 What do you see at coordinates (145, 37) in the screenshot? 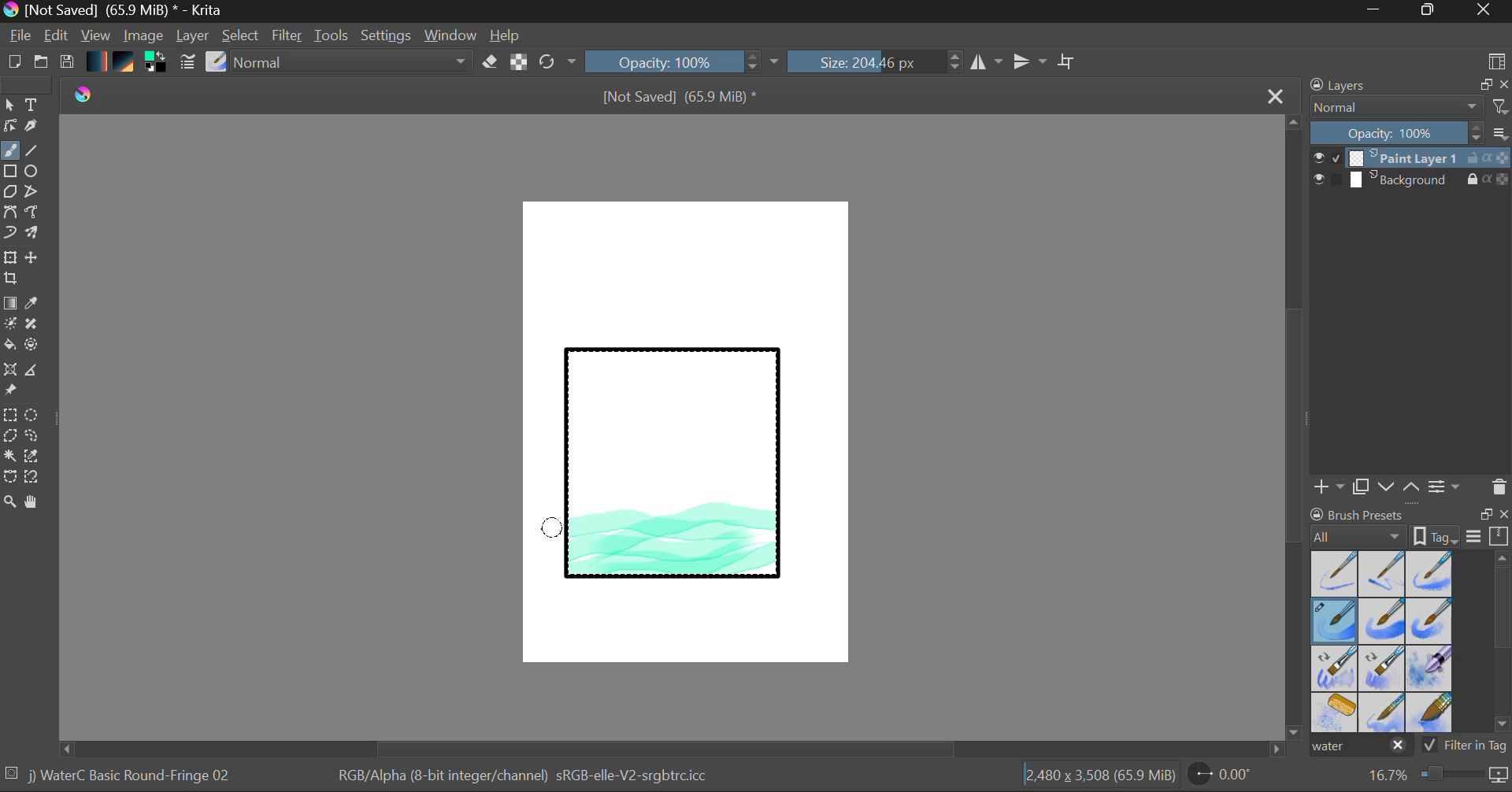
I see `Image` at bounding box center [145, 37].